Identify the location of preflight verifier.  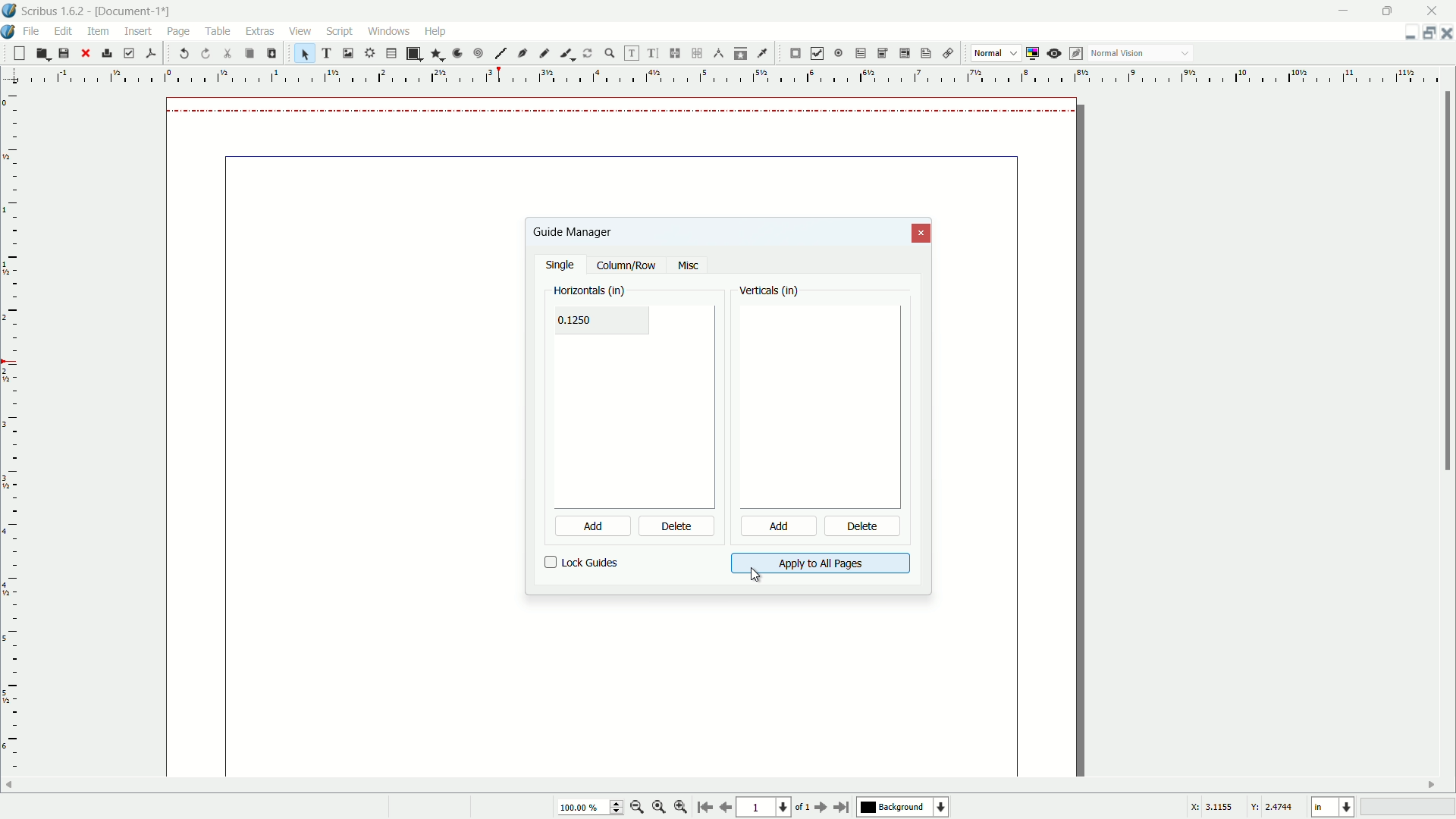
(129, 54).